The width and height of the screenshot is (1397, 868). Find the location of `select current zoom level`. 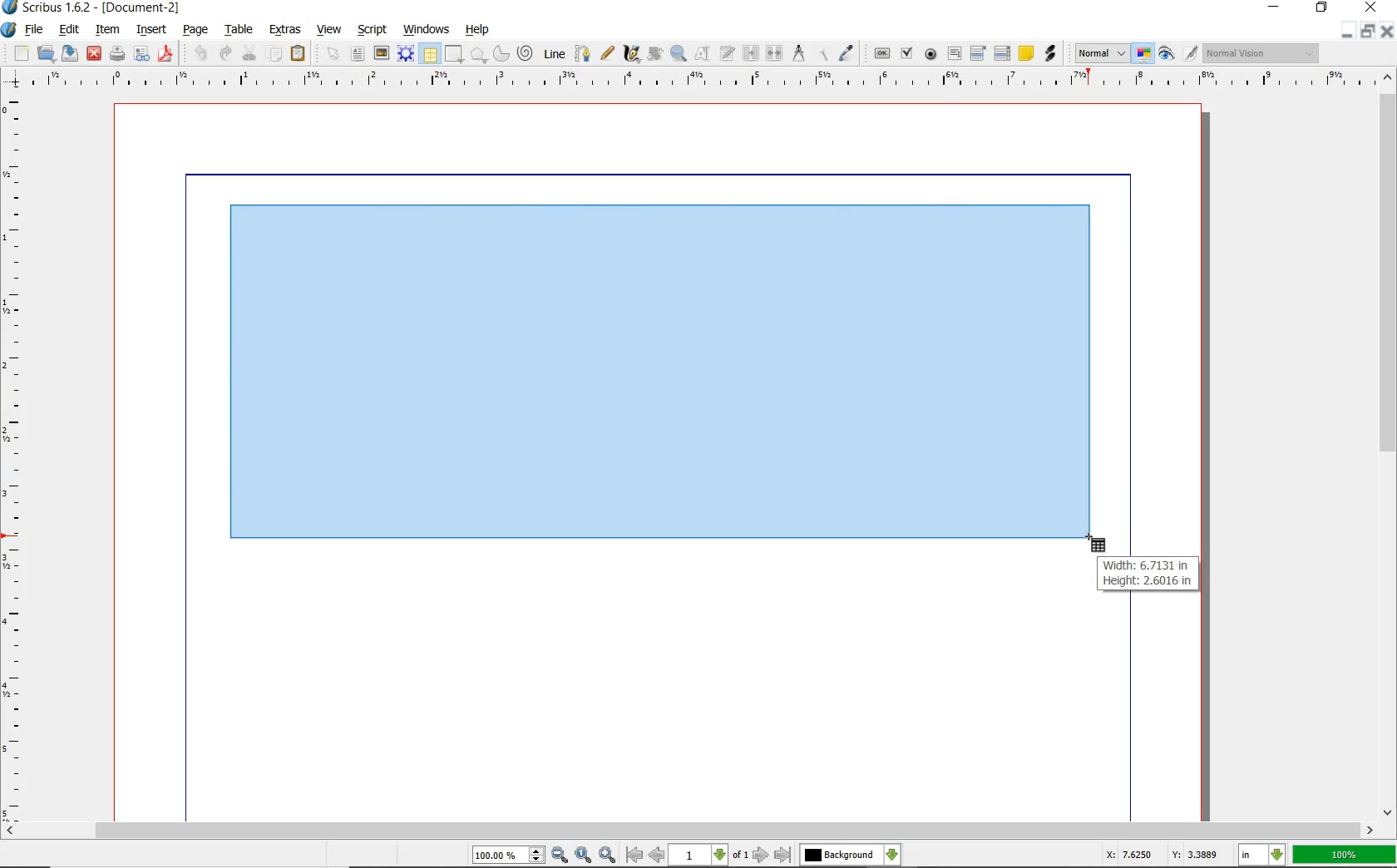

select current zoom level is located at coordinates (508, 856).